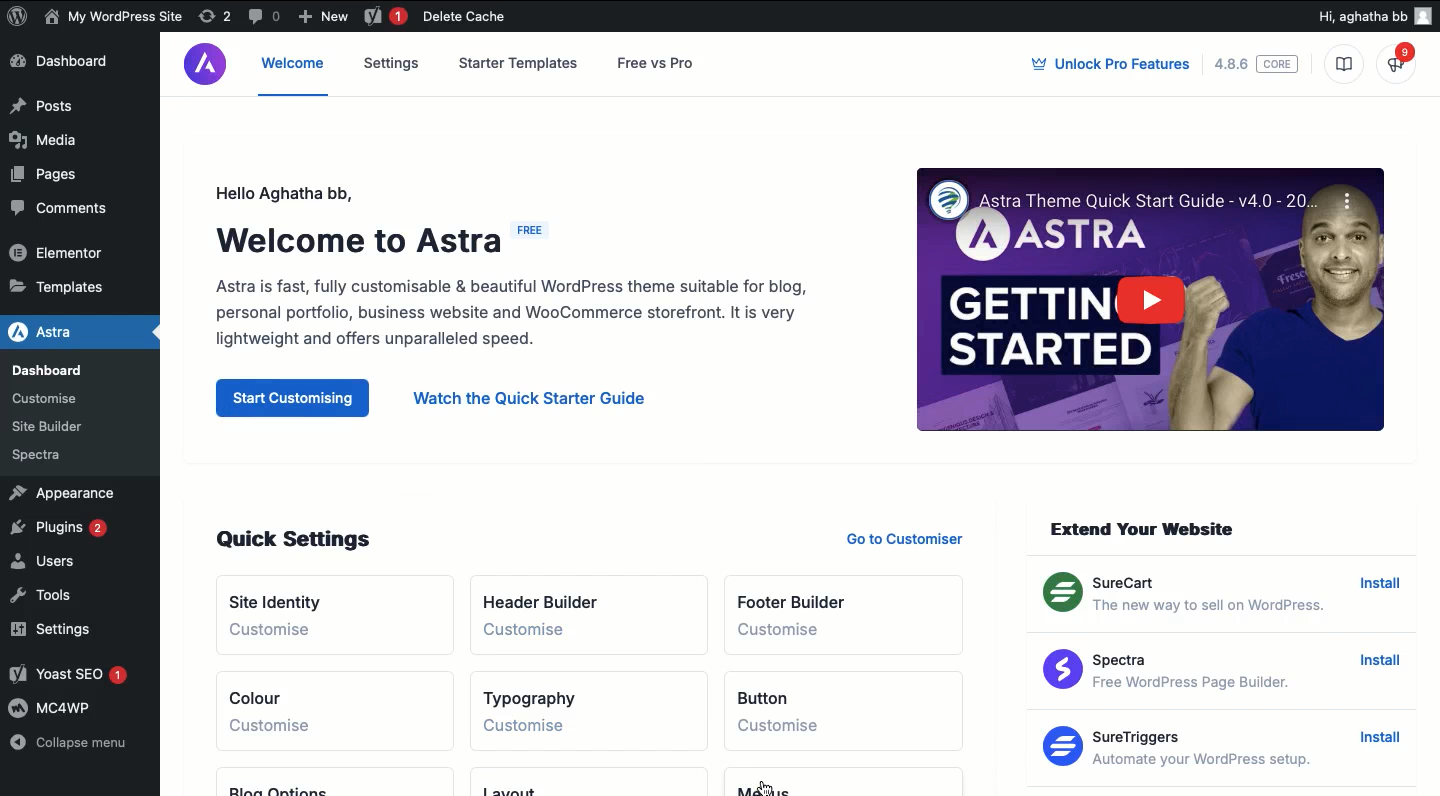 The width and height of the screenshot is (1440, 796). What do you see at coordinates (1381, 591) in the screenshot?
I see `Install` at bounding box center [1381, 591].